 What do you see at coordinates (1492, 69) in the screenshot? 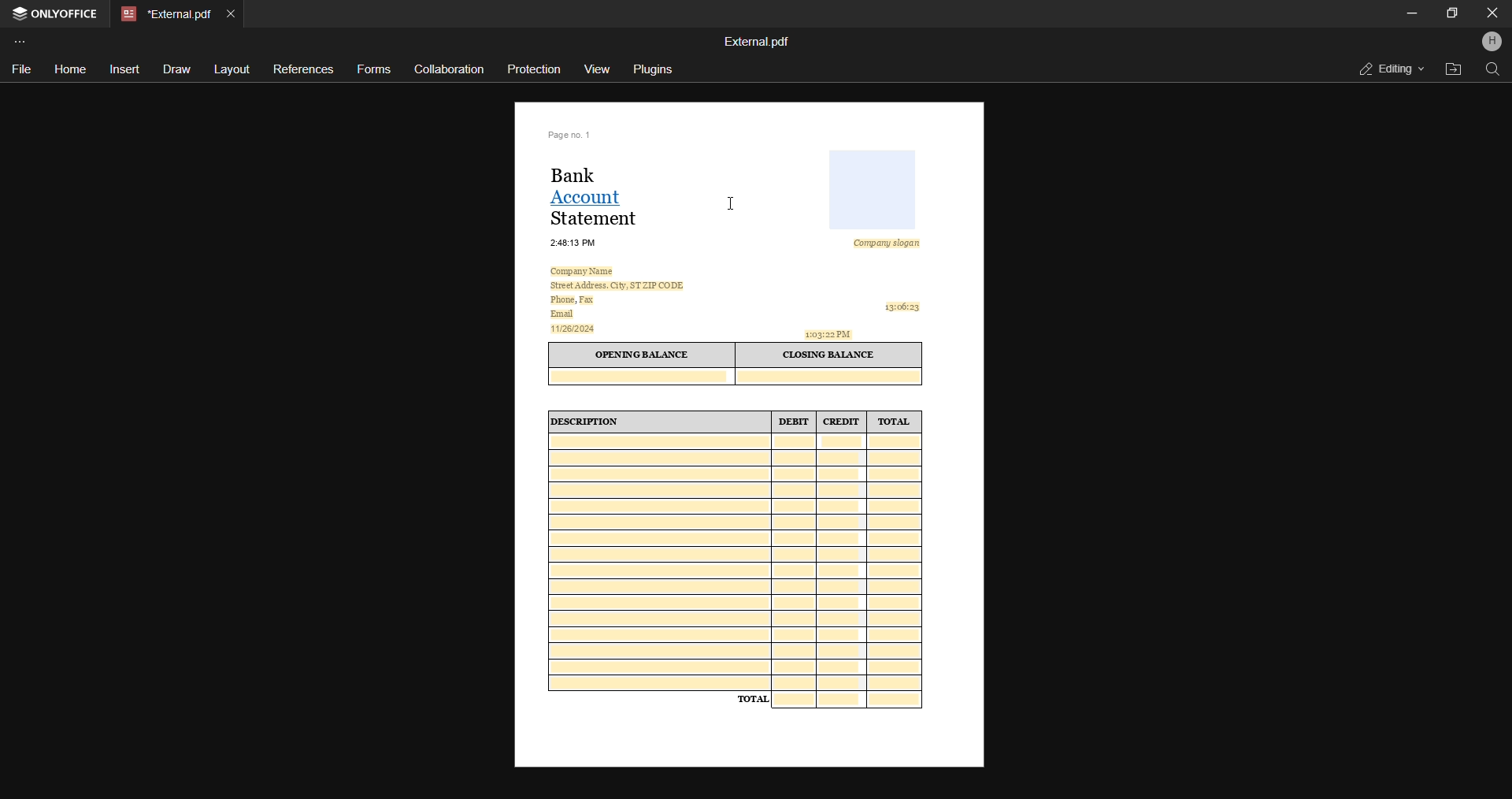
I see `Search` at bounding box center [1492, 69].